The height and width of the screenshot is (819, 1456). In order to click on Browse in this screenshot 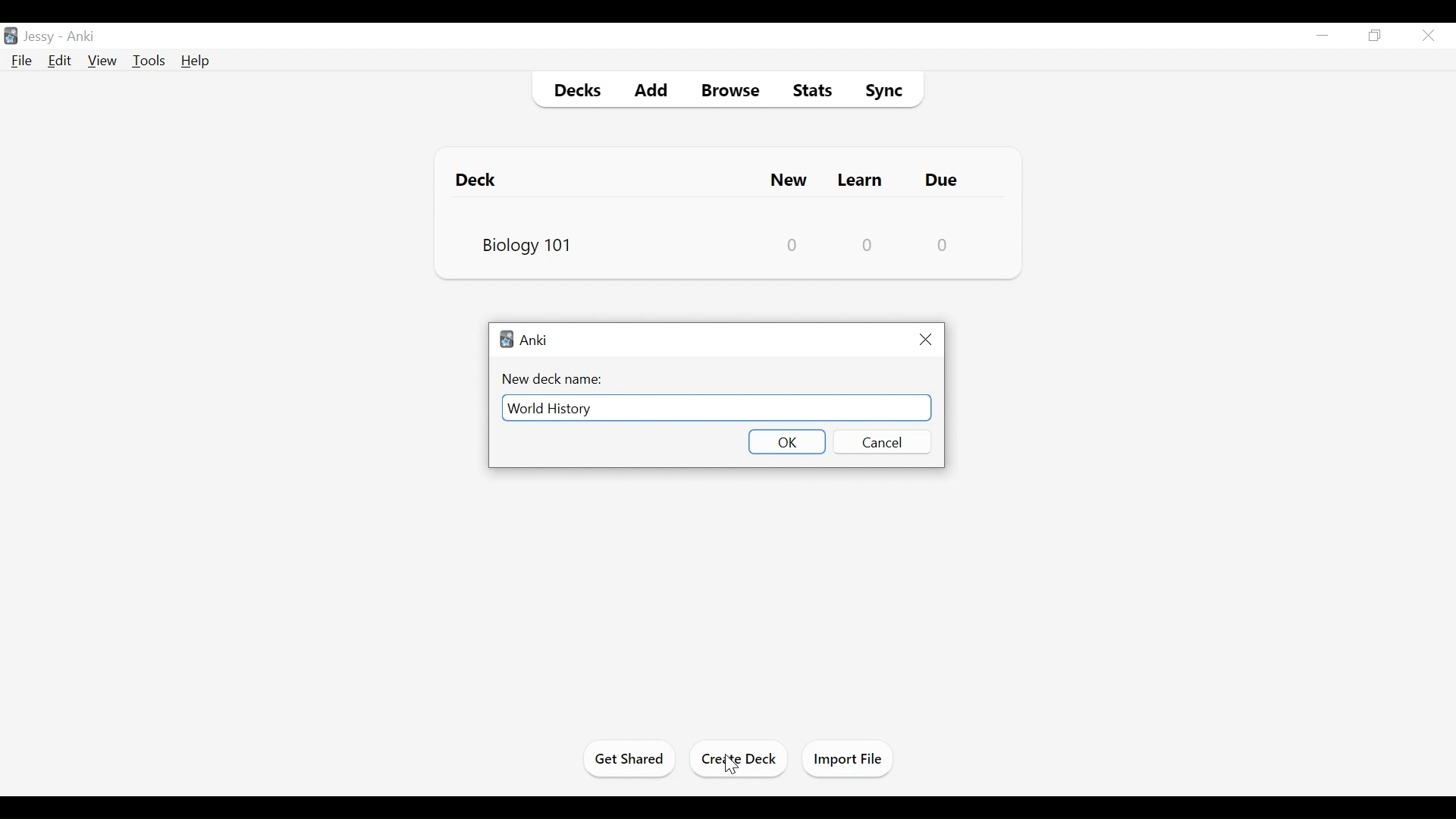, I will do `click(727, 88)`.